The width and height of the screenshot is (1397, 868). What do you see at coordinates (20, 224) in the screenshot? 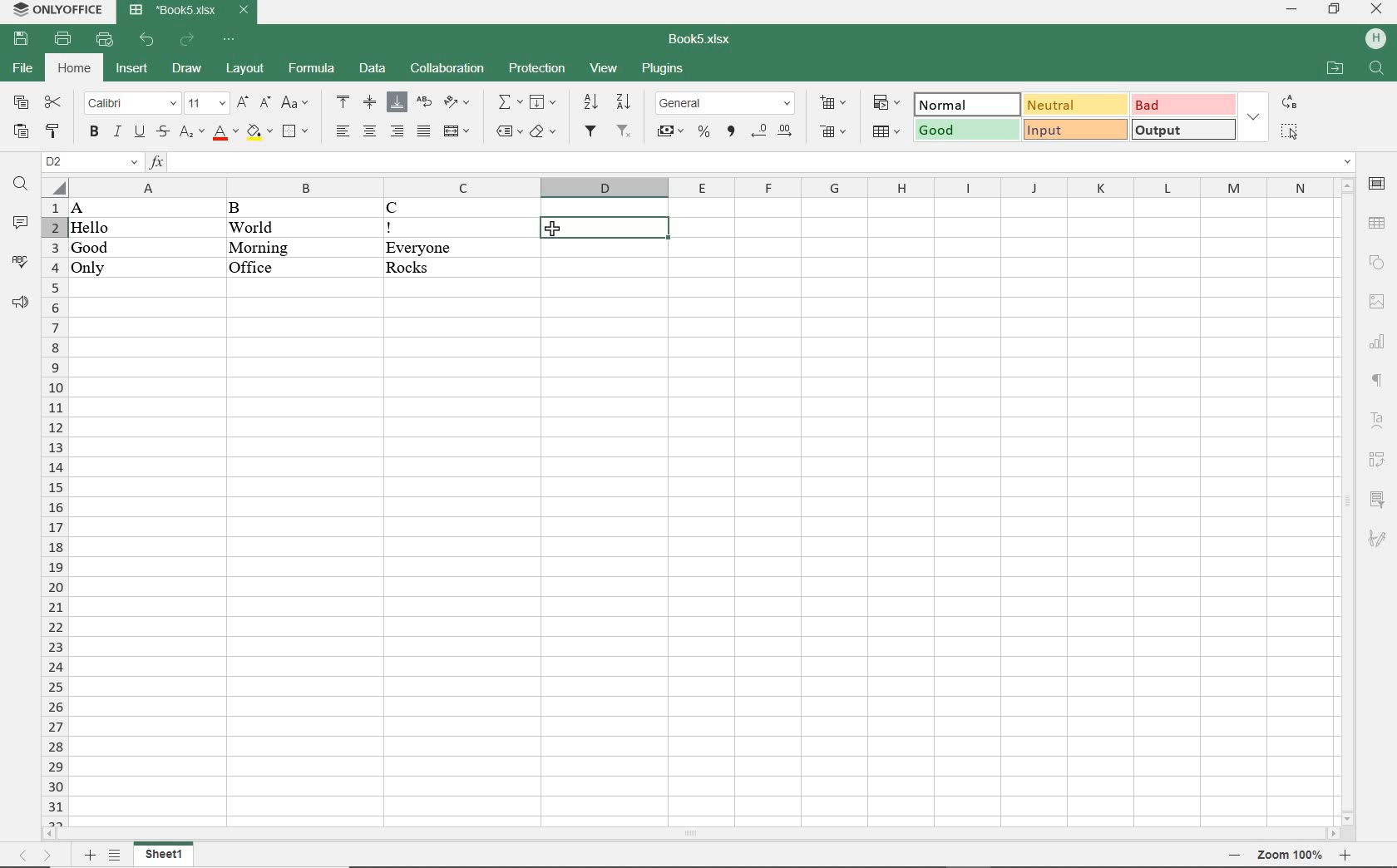
I see `comments` at bounding box center [20, 224].